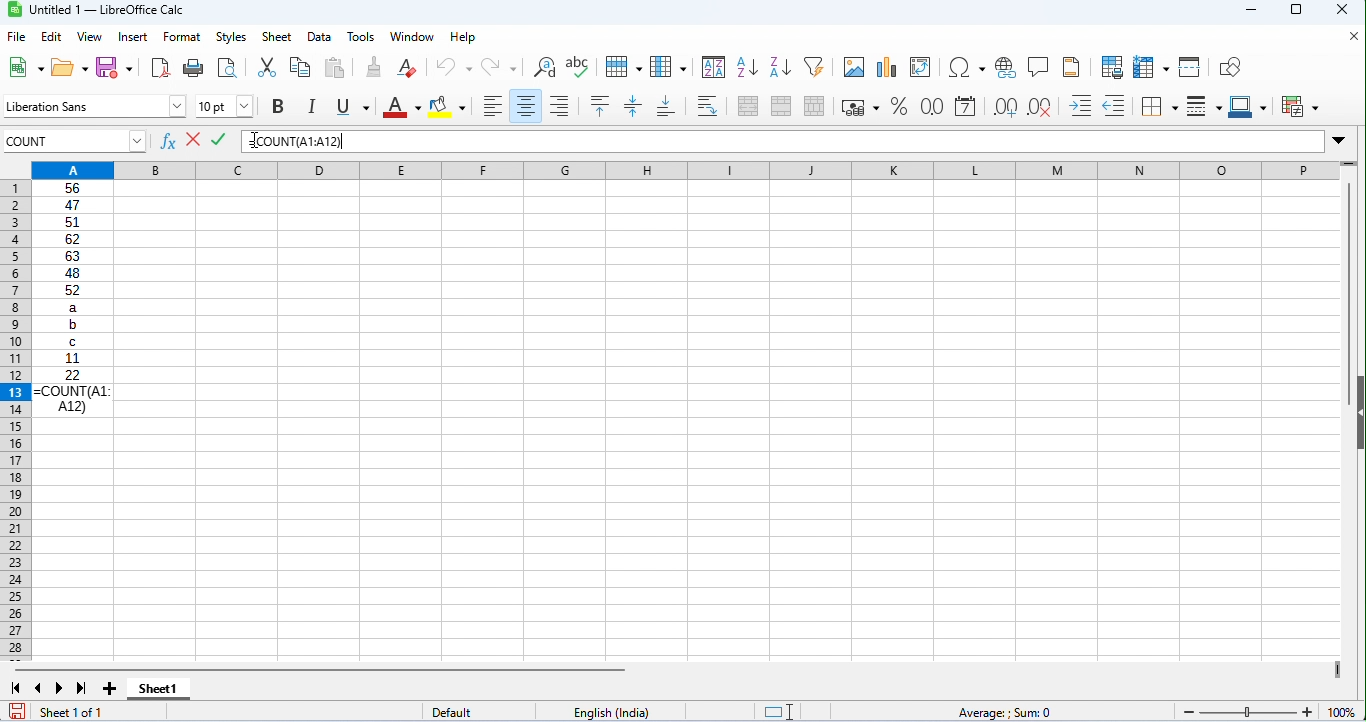 Image resolution: width=1366 pixels, height=722 pixels. I want to click on Average: ; Sum: 0, so click(1002, 712).